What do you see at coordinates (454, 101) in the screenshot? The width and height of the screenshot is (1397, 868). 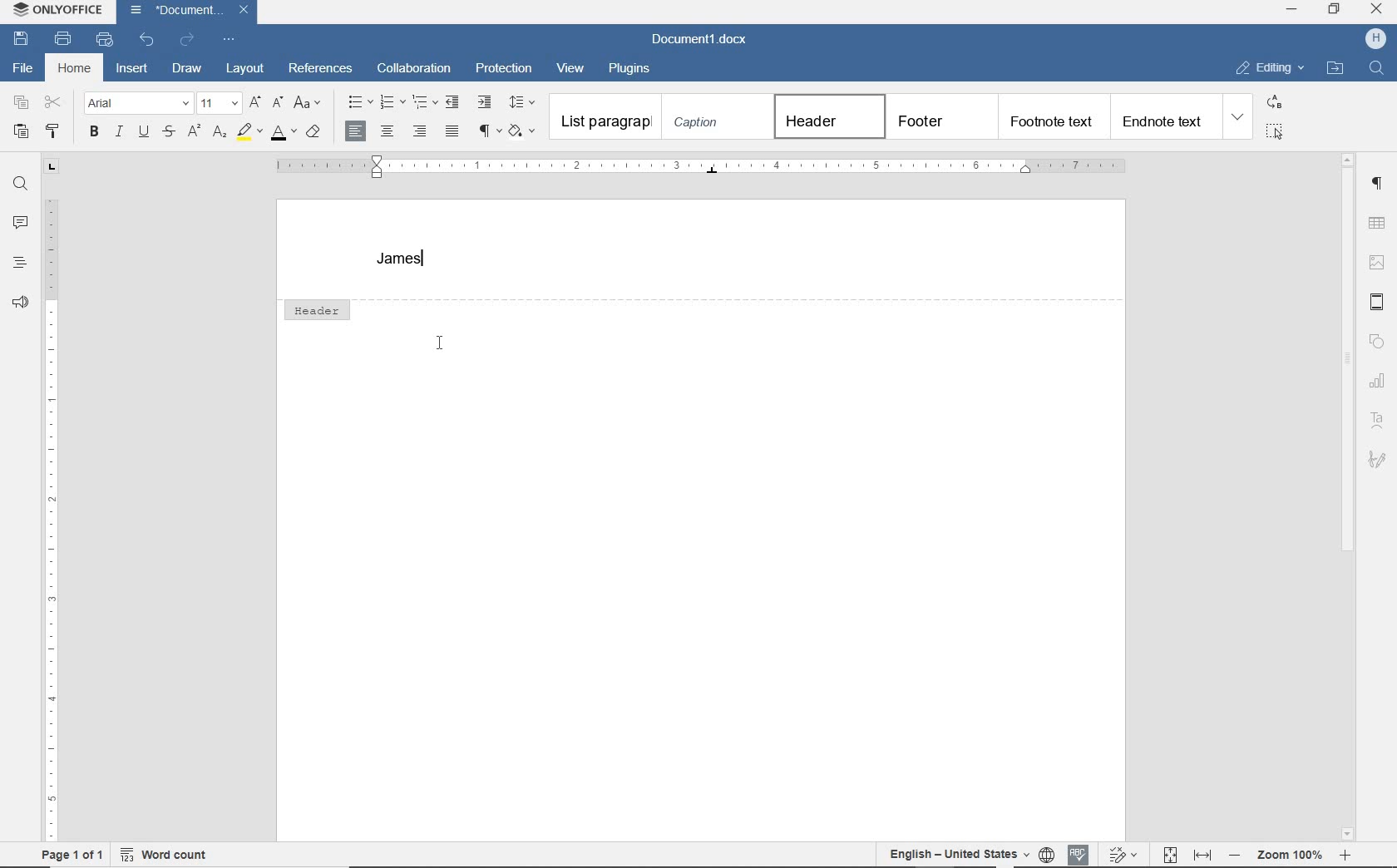 I see `decrease indent` at bounding box center [454, 101].